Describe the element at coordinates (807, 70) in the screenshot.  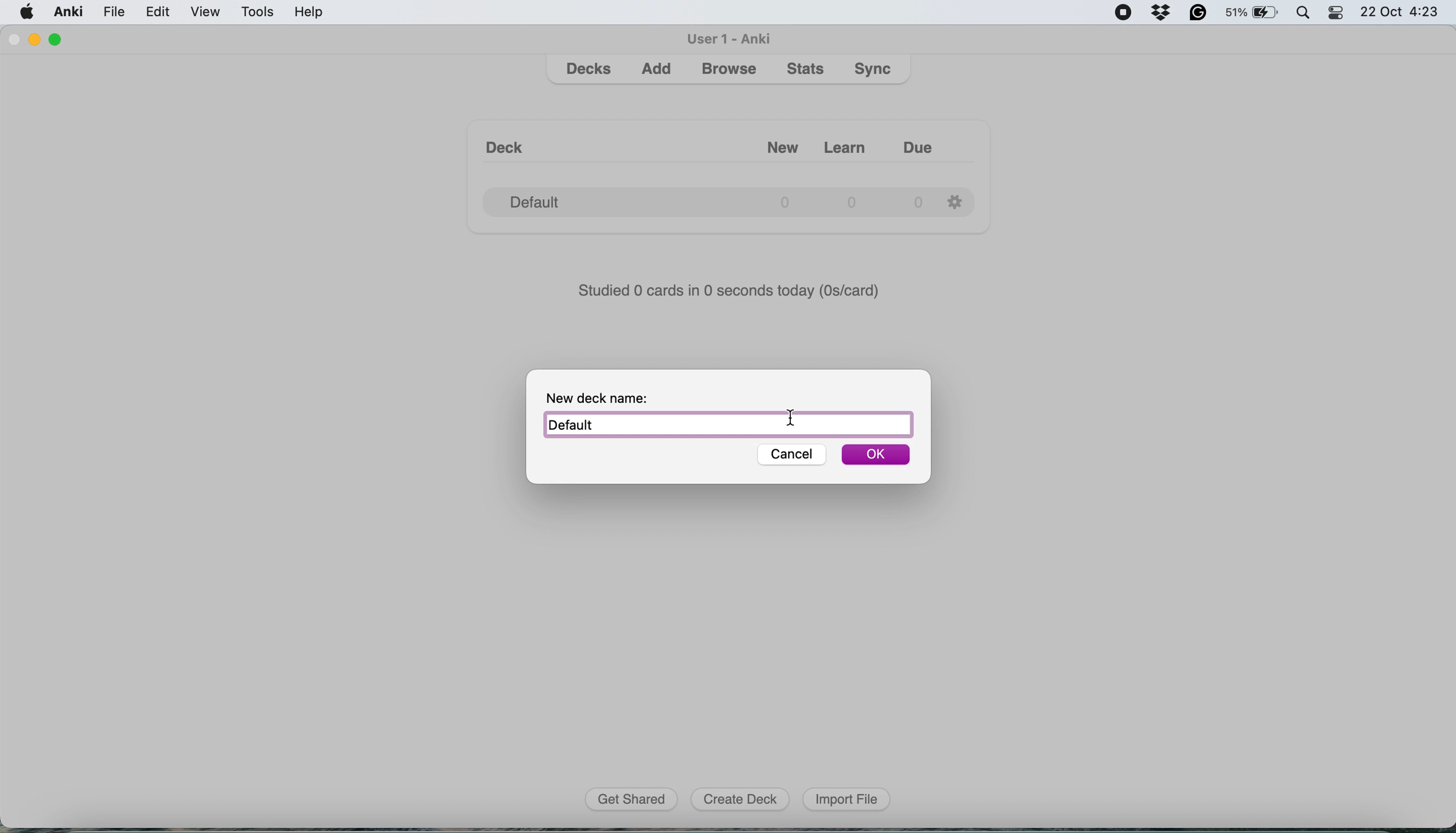
I see `stats` at that location.